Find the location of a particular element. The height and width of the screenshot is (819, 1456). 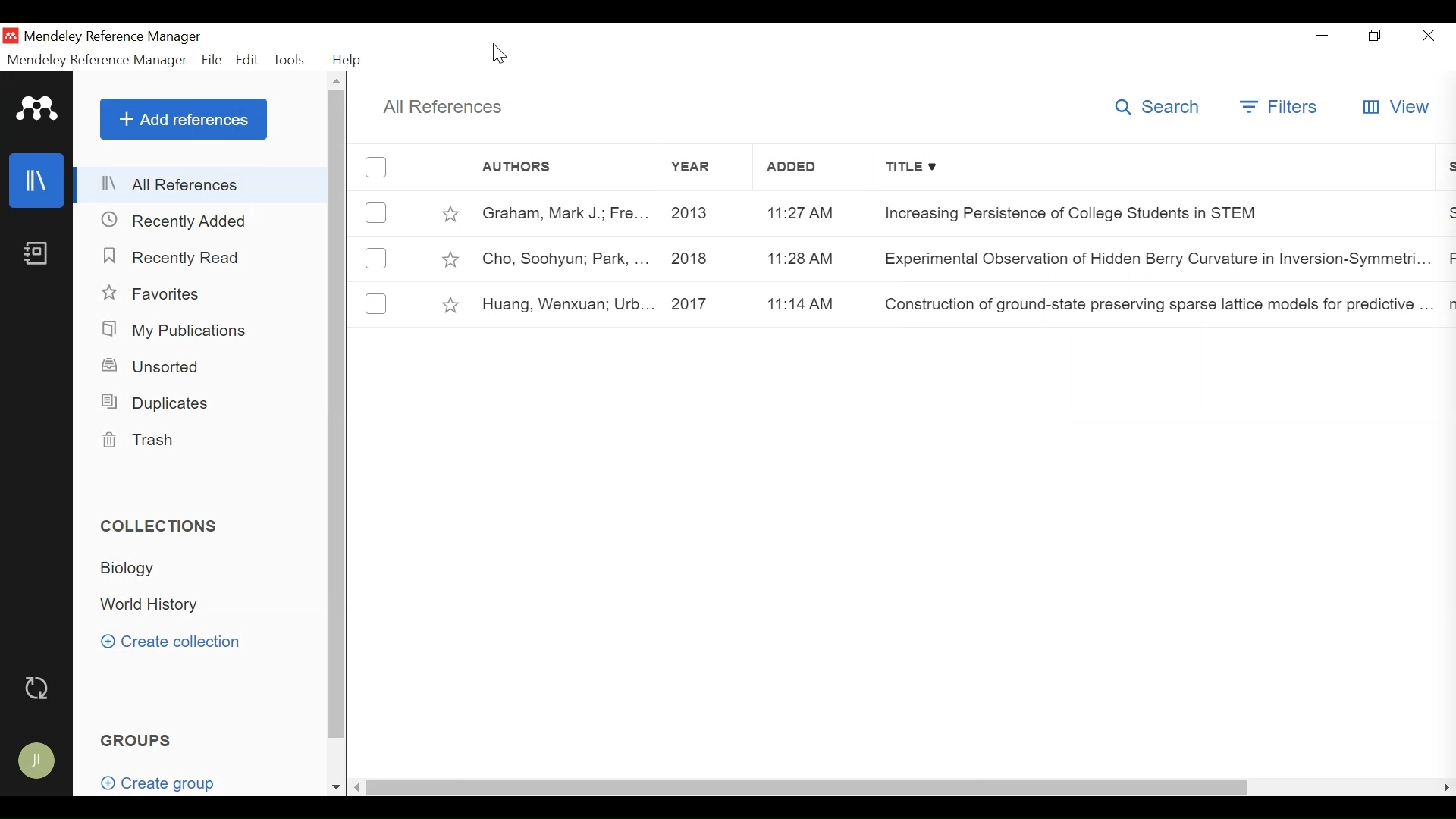

Edit is located at coordinates (246, 59).